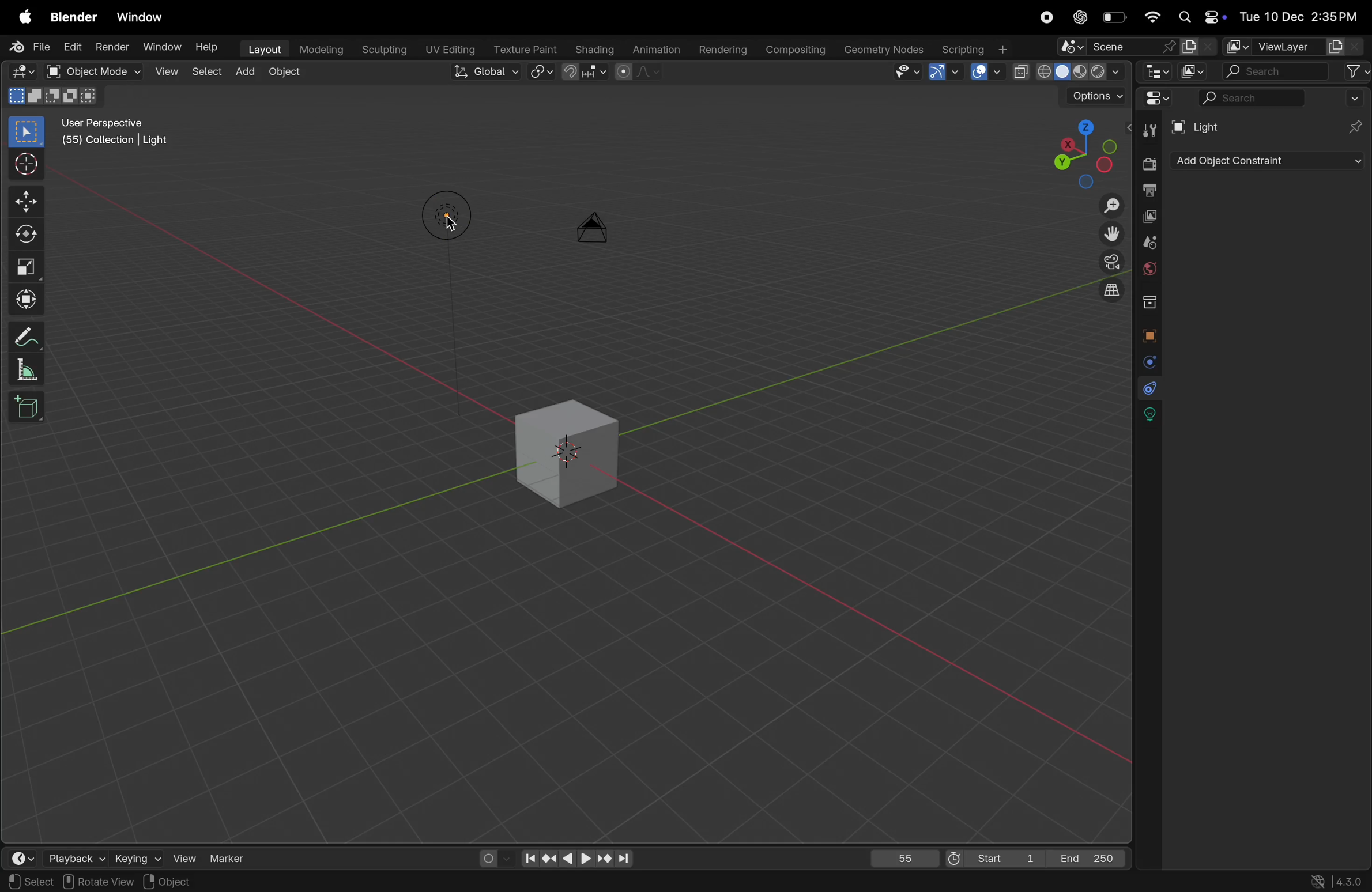 The height and width of the screenshot is (892, 1372). Describe the element at coordinates (1294, 47) in the screenshot. I see `view layer` at that location.